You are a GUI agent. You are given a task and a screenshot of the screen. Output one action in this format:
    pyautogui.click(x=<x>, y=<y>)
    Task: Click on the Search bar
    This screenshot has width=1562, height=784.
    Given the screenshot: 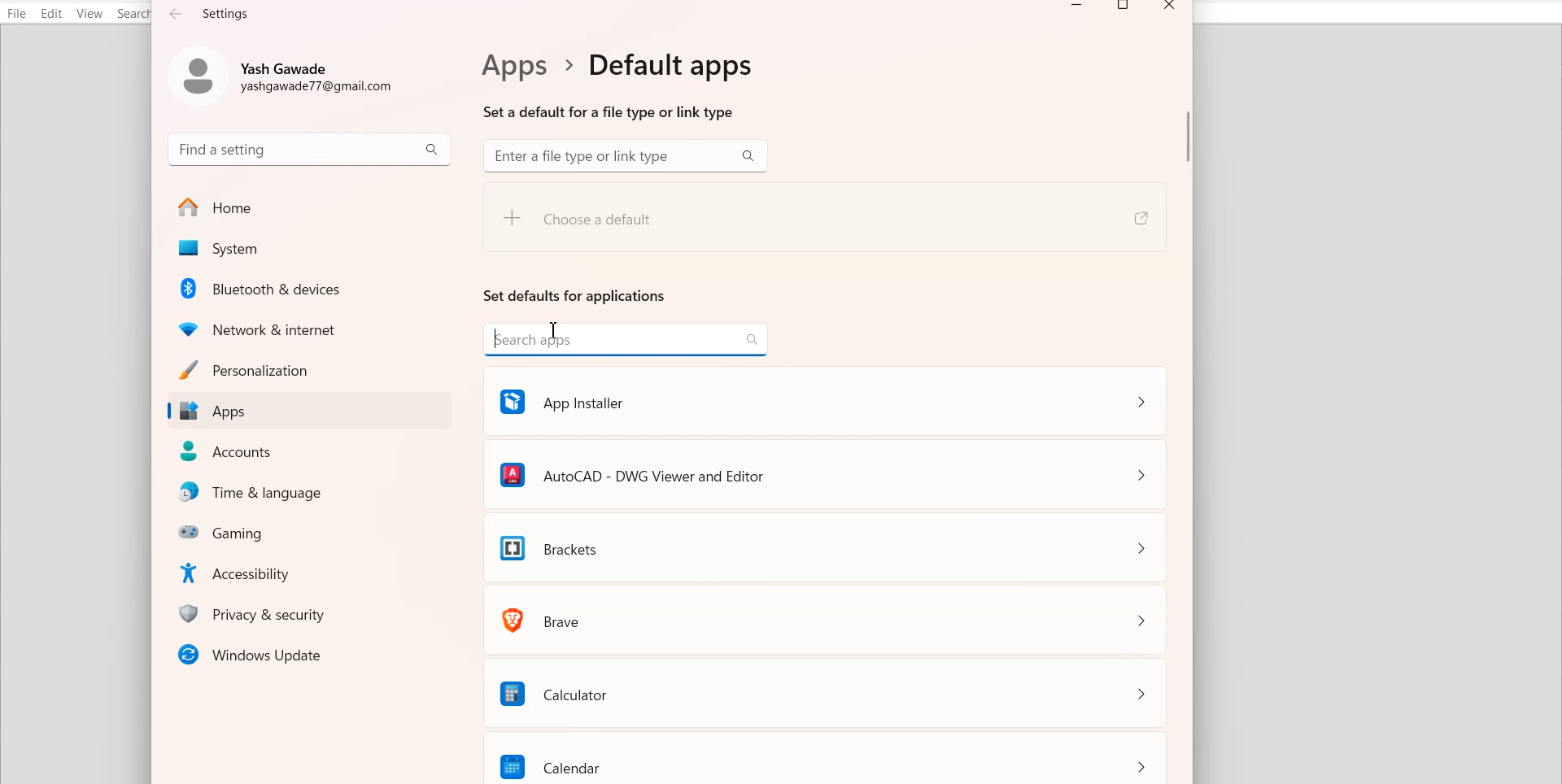 What is the action you would take?
    pyautogui.click(x=625, y=156)
    